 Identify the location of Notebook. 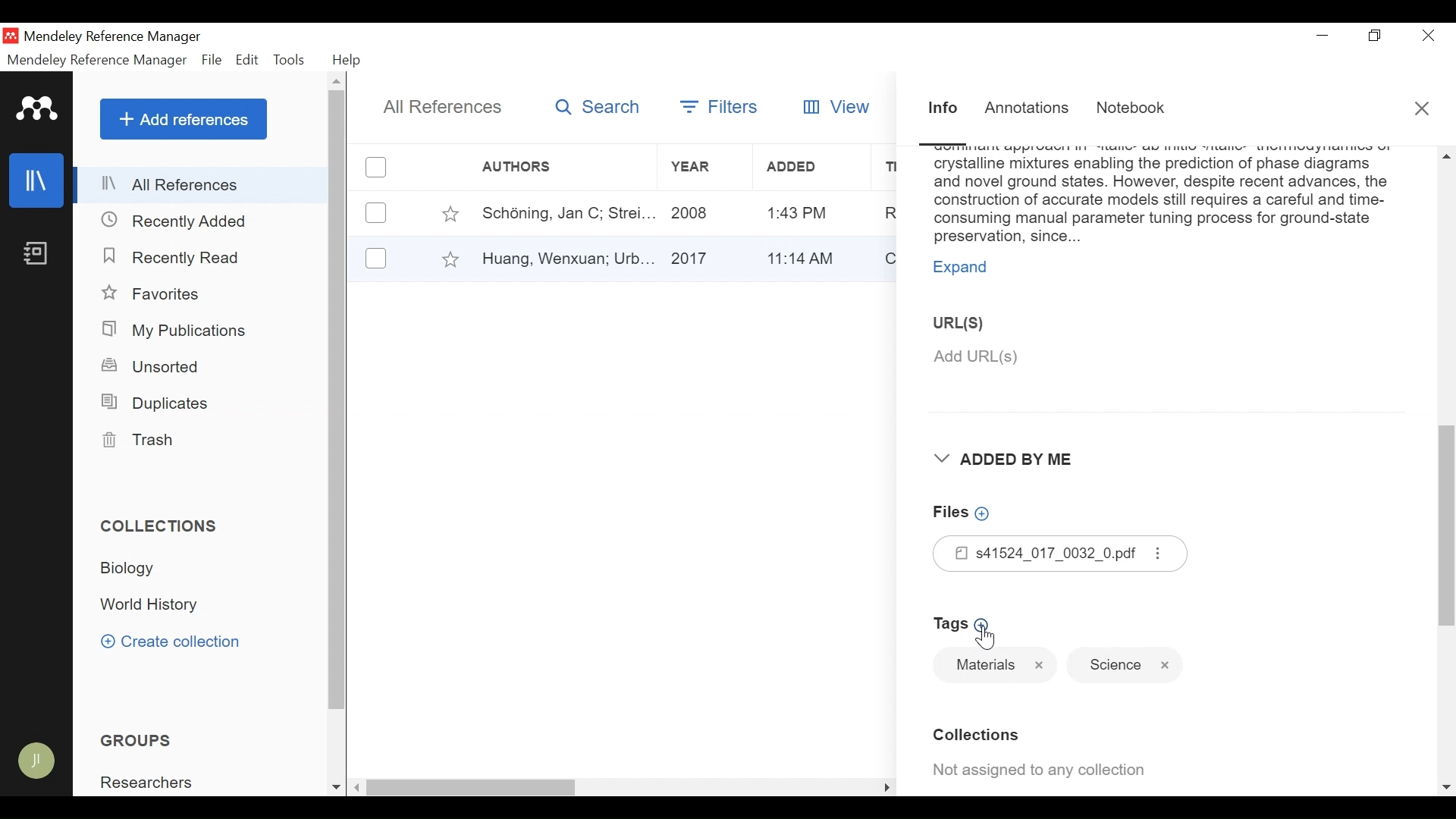
(36, 253).